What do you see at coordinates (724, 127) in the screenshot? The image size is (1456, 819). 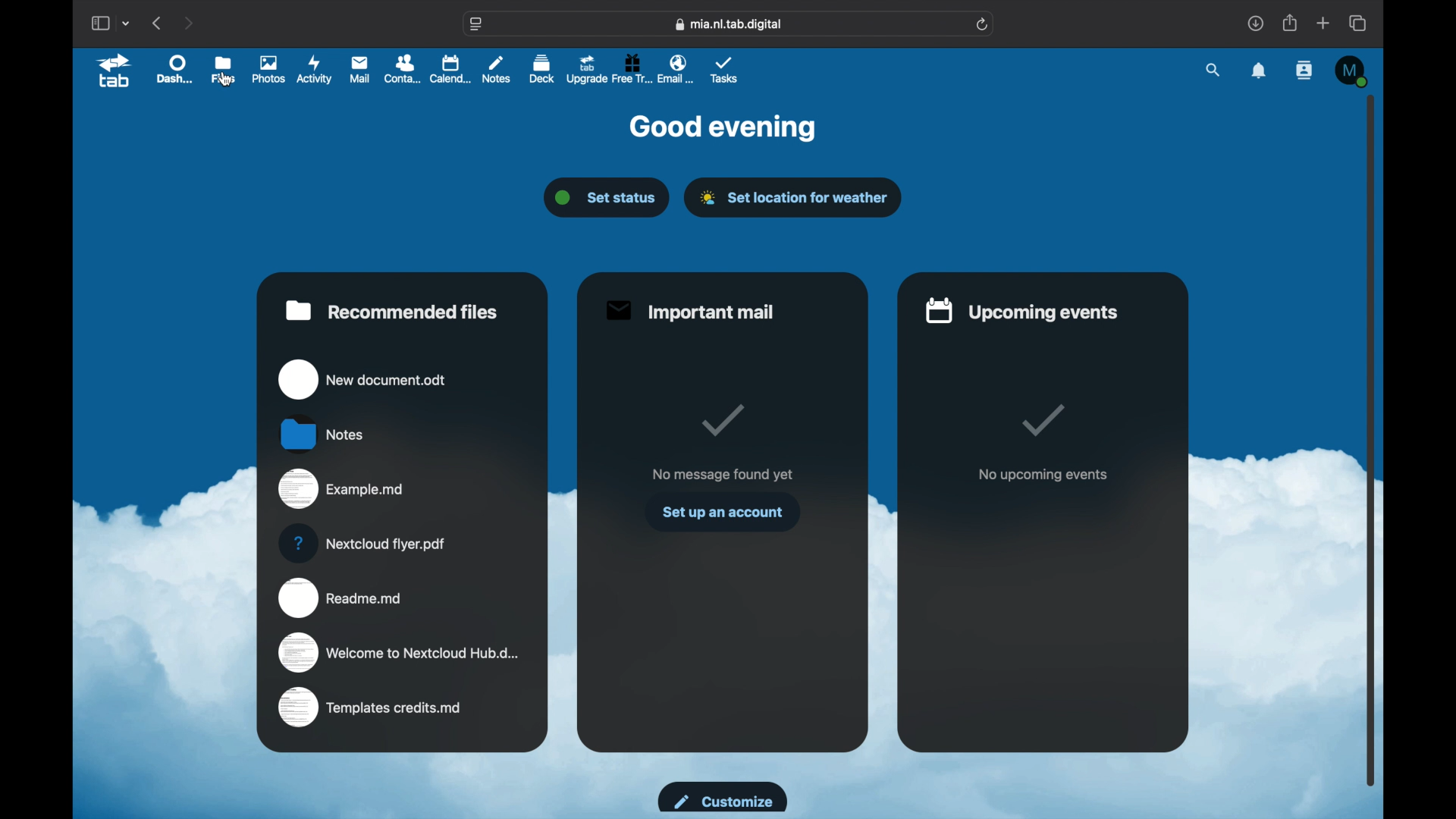 I see `good evening` at bounding box center [724, 127].